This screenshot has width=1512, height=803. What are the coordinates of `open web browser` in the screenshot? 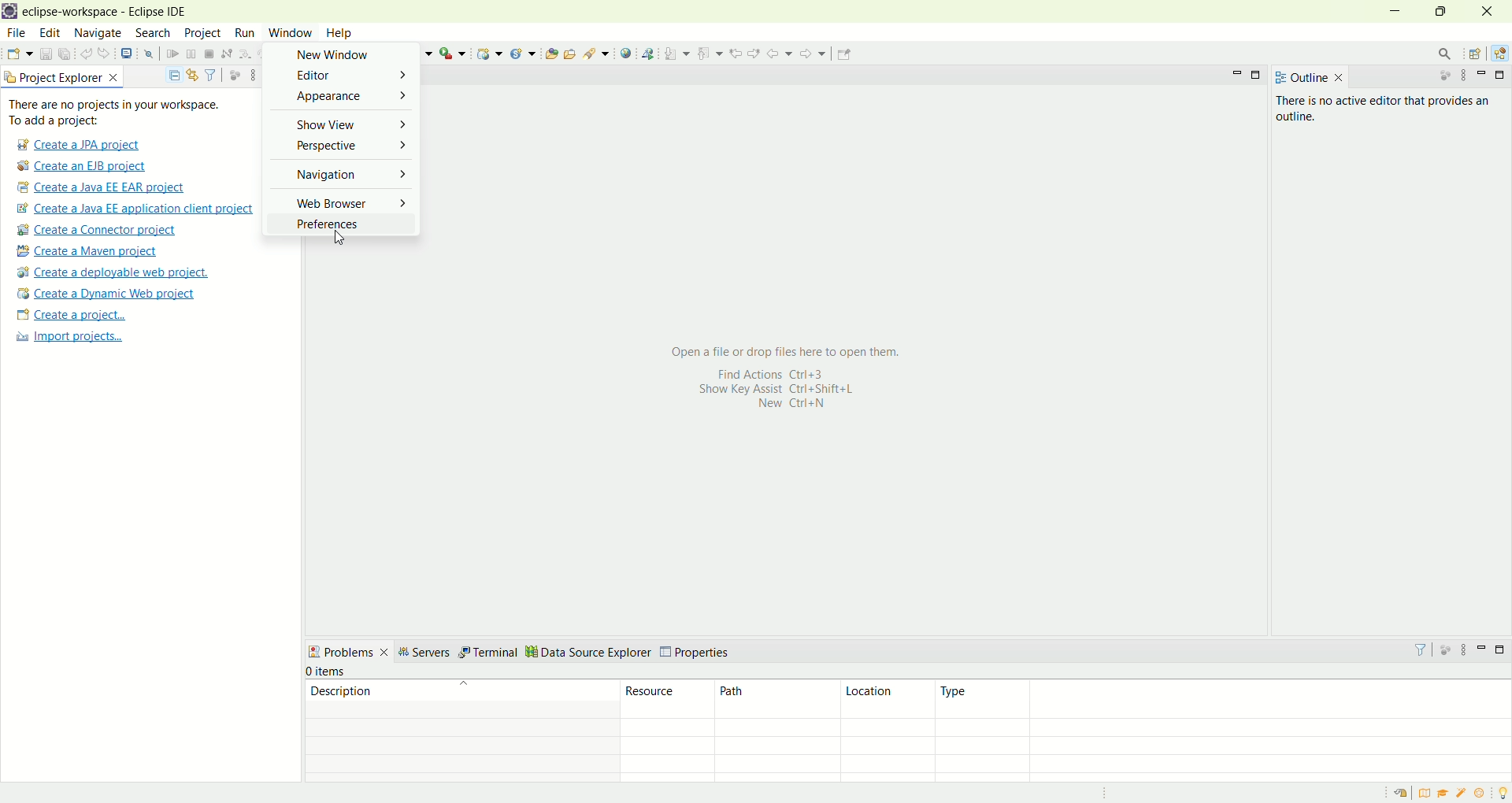 It's located at (626, 54).